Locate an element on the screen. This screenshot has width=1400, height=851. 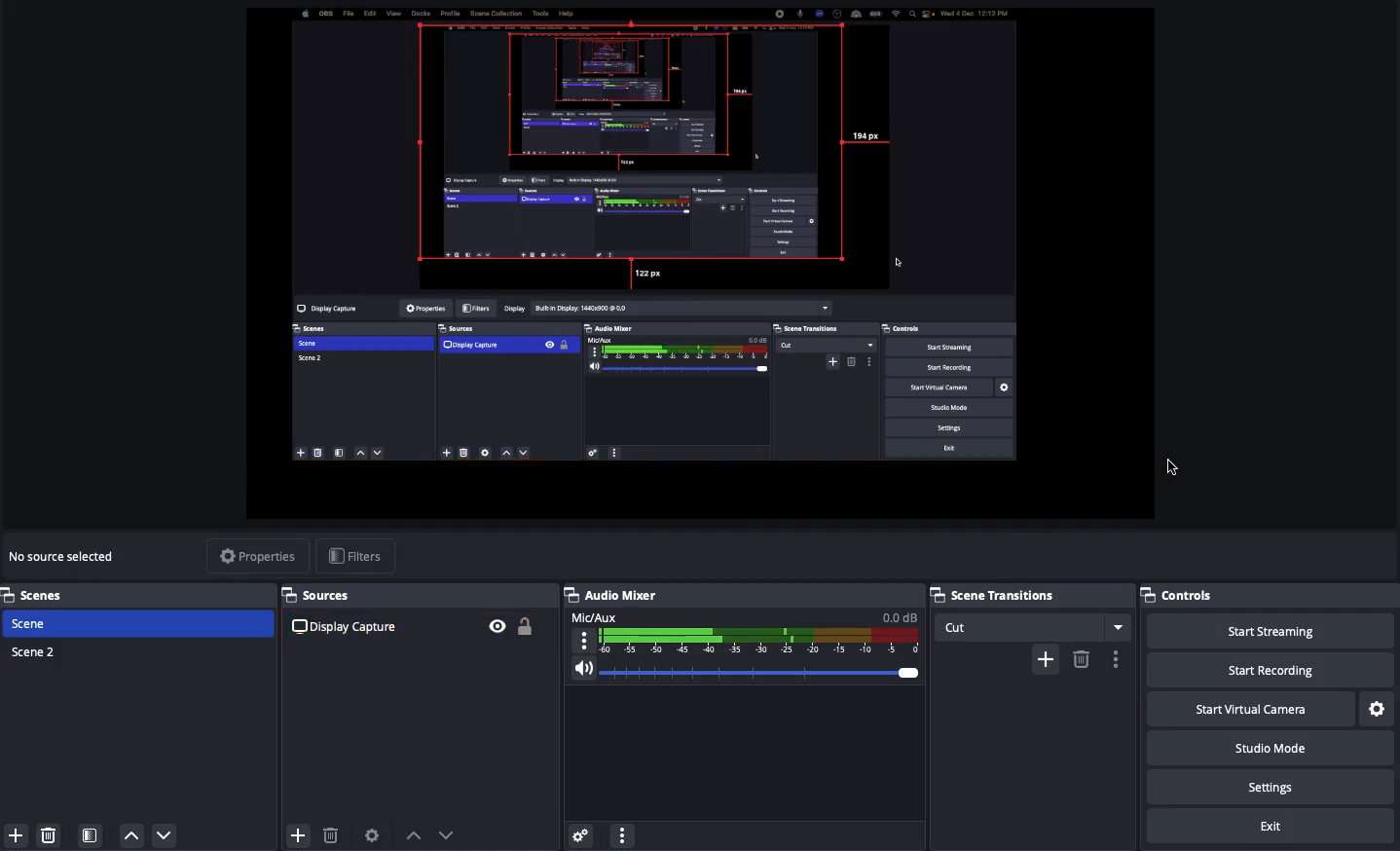
Scene transitions is located at coordinates (1030, 611).